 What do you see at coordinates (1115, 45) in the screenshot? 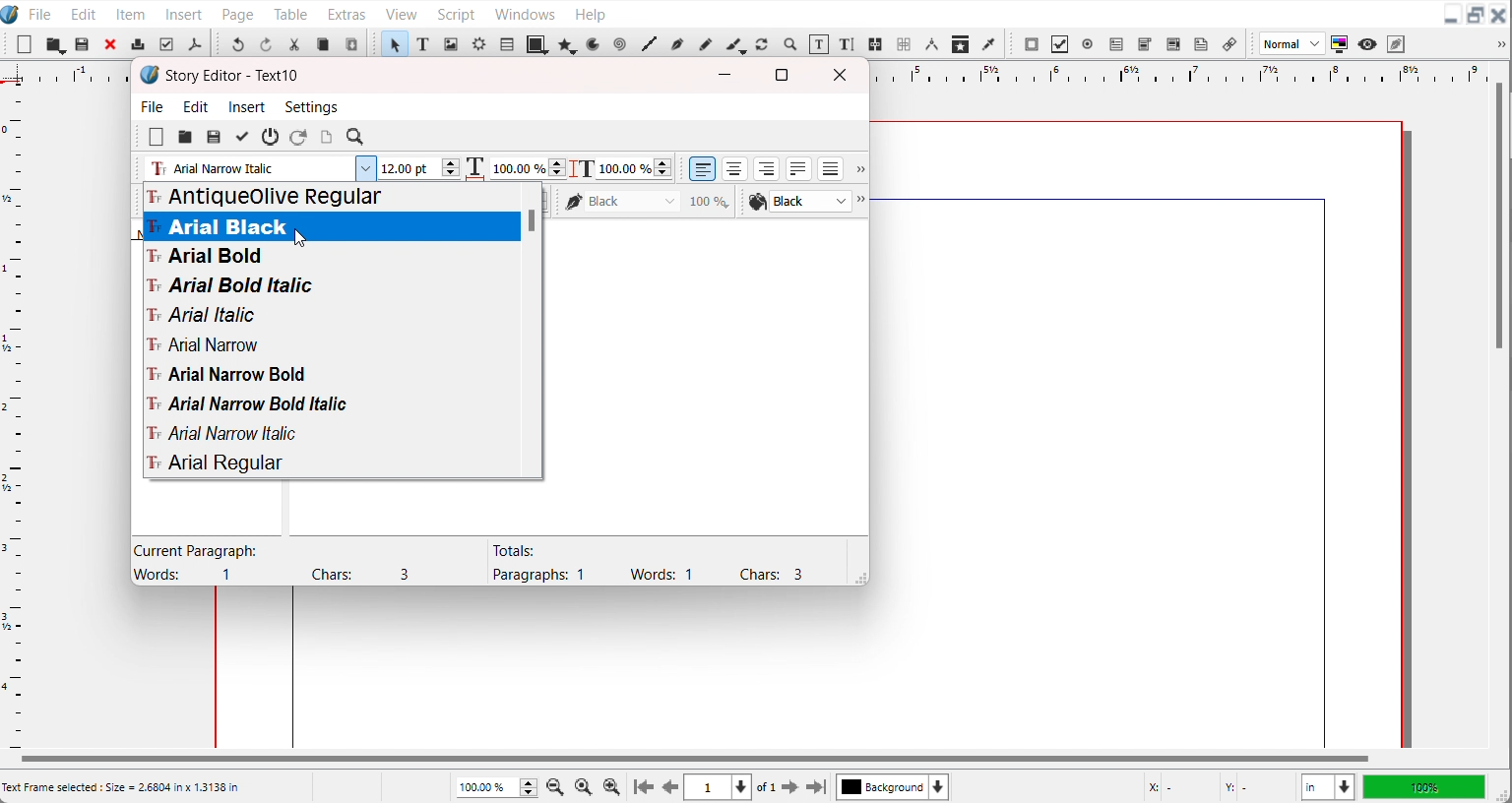
I see `PDF text field` at bounding box center [1115, 45].